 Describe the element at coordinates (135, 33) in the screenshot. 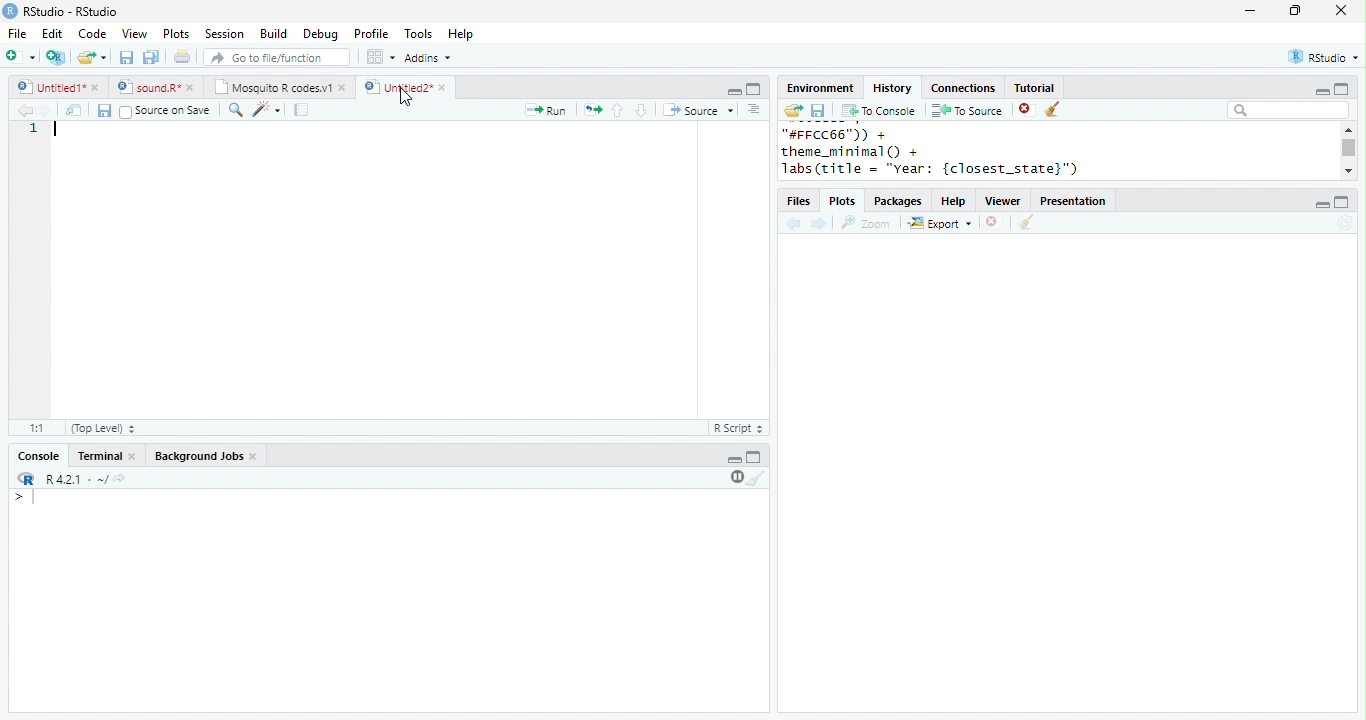

I see `View` at that location.